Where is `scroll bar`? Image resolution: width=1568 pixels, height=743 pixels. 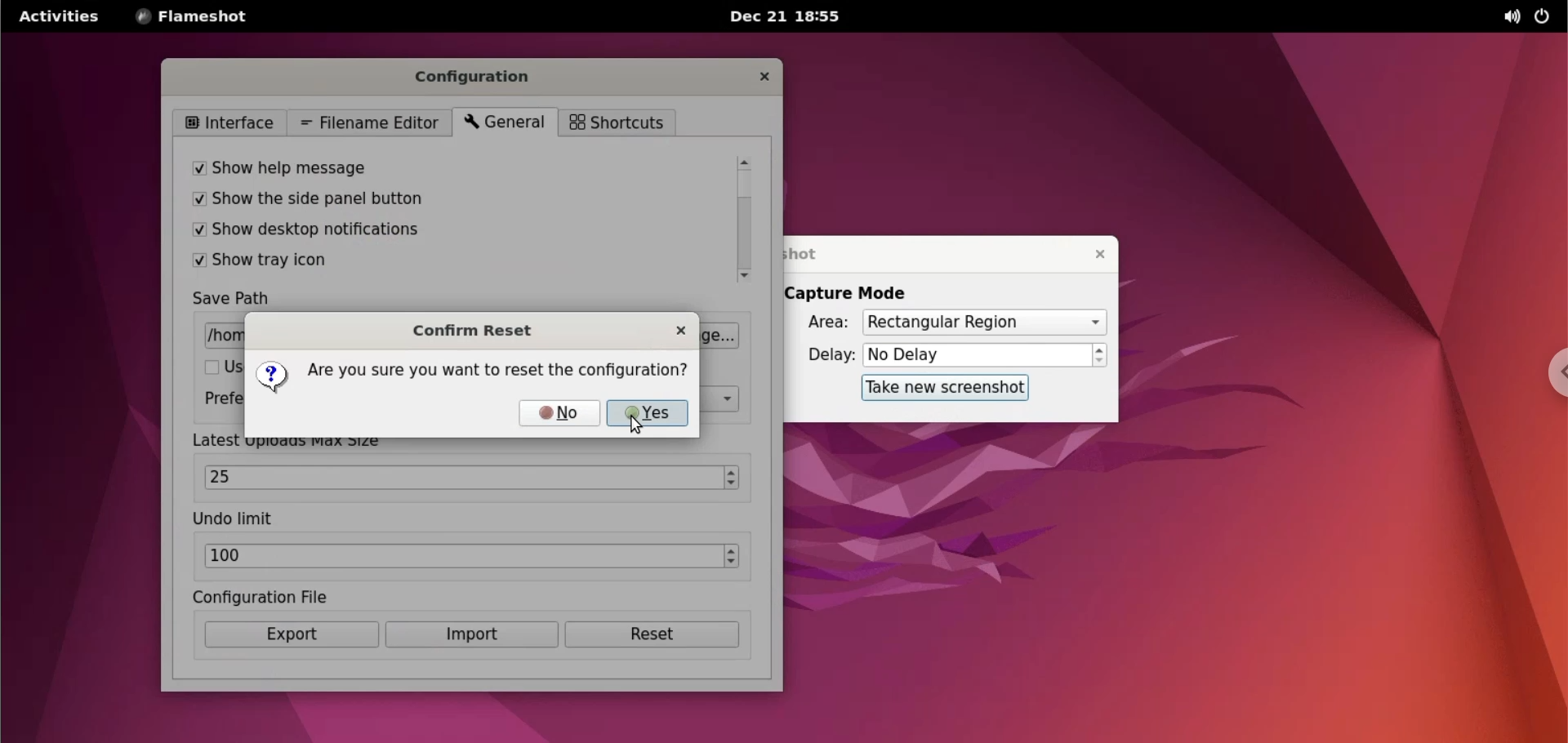
scroll bar is located at coordinates (742, 216).